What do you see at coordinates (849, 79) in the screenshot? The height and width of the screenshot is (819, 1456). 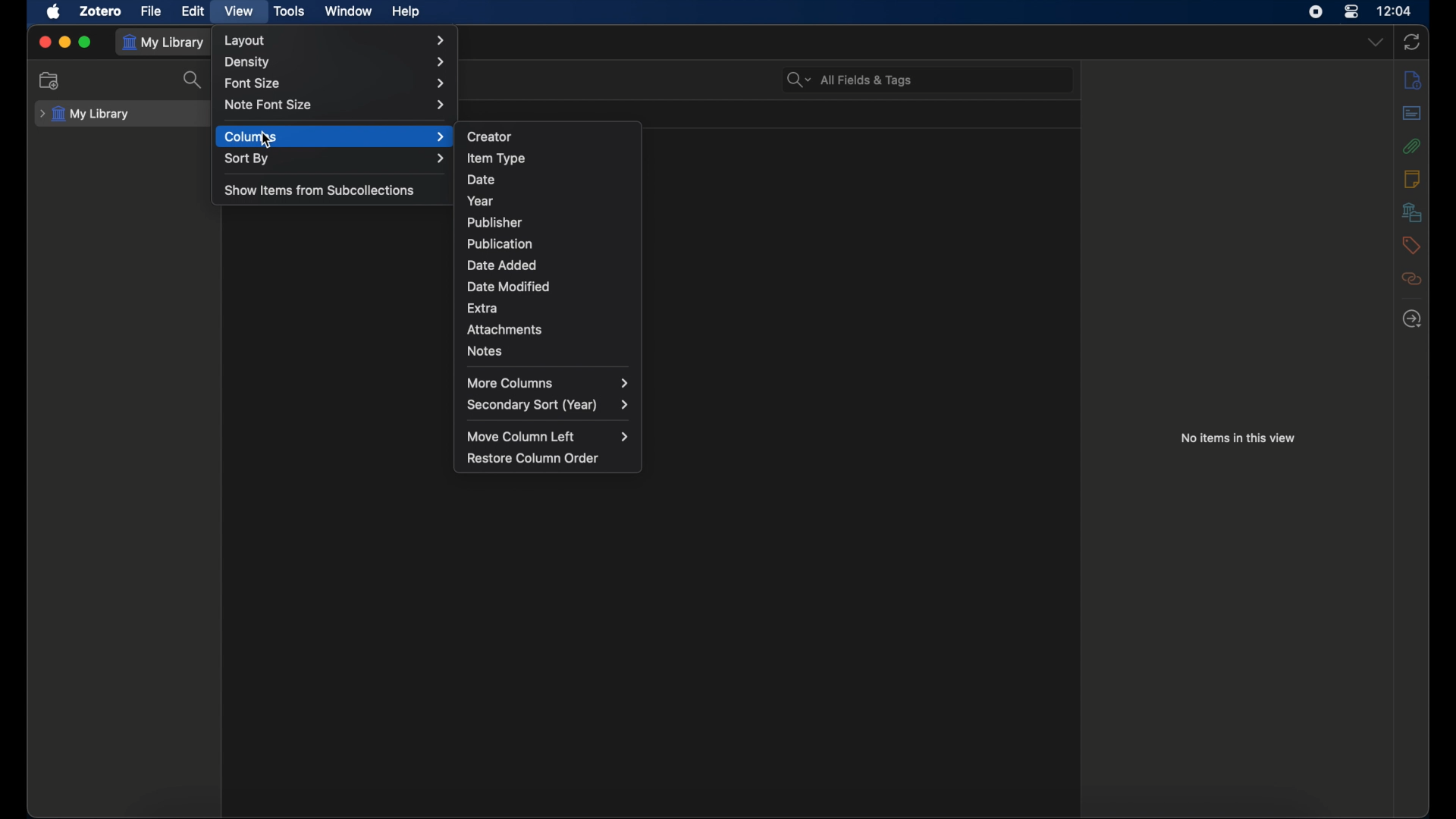 I see `search bar` at bounding box center [849, 79].